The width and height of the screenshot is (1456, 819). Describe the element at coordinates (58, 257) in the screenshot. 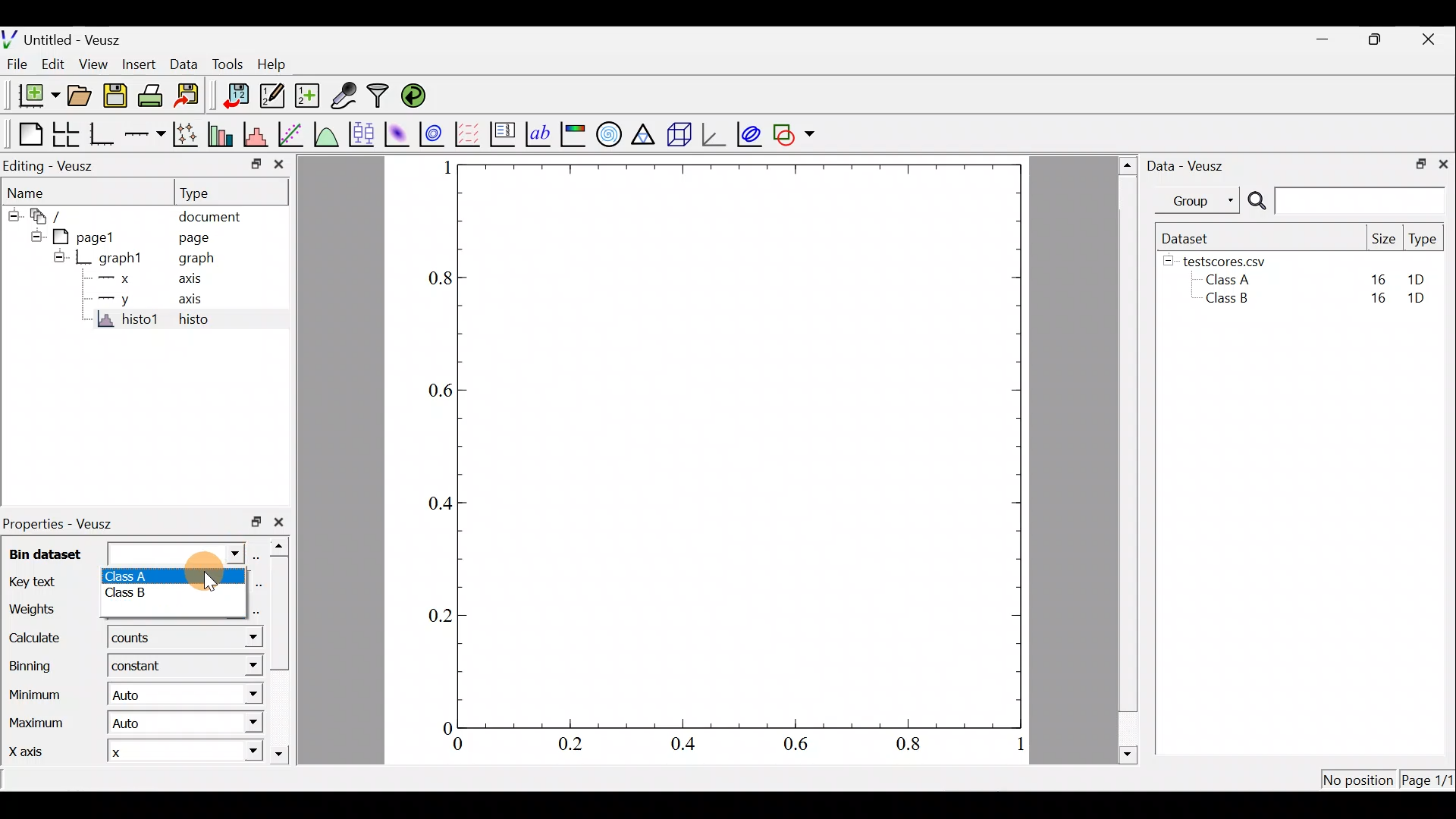

I see `hide` at that location.